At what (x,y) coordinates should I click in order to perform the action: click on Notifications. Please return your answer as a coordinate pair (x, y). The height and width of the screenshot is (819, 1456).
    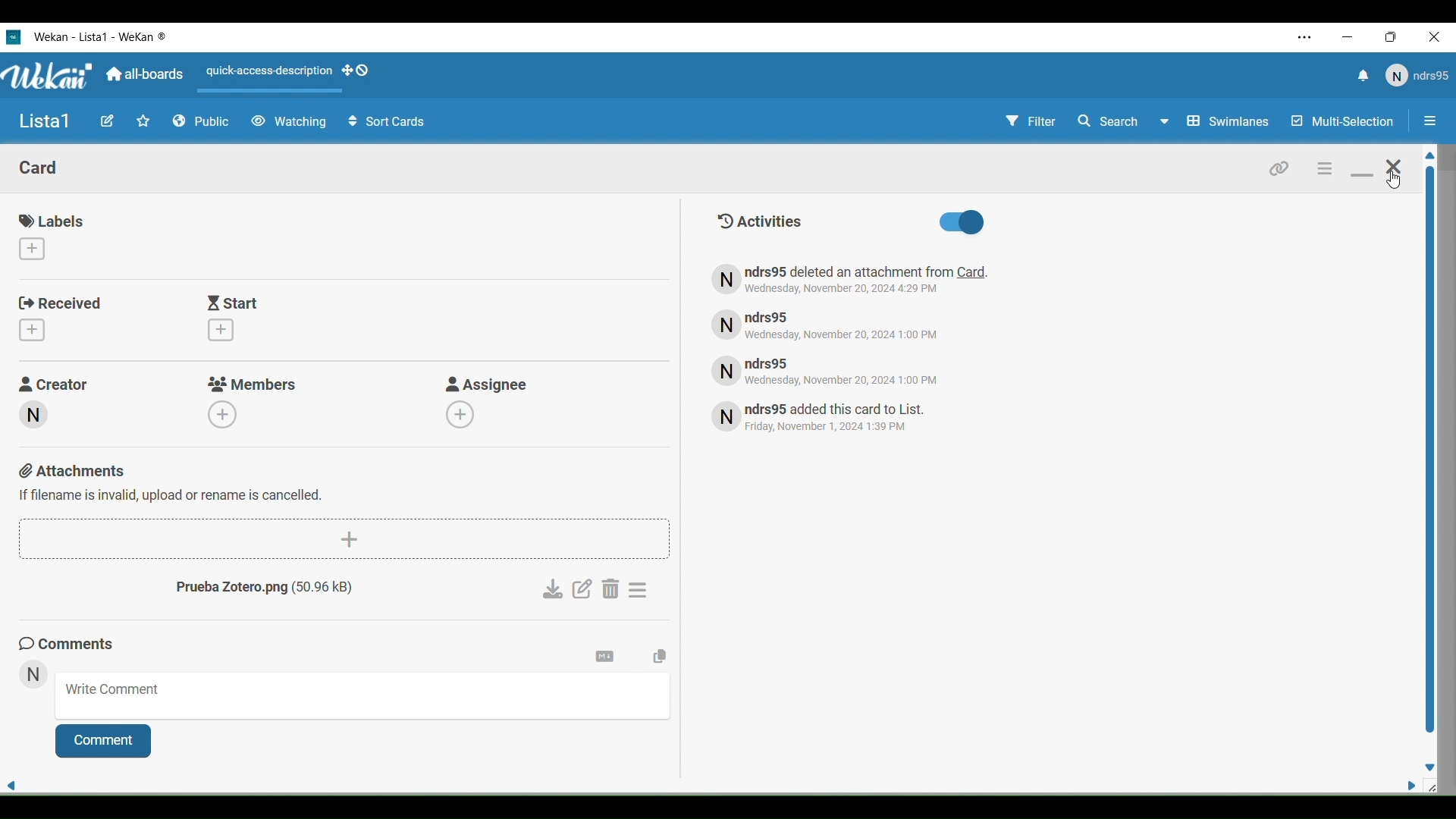
    Looking at the image, I should click on (1361, 77).